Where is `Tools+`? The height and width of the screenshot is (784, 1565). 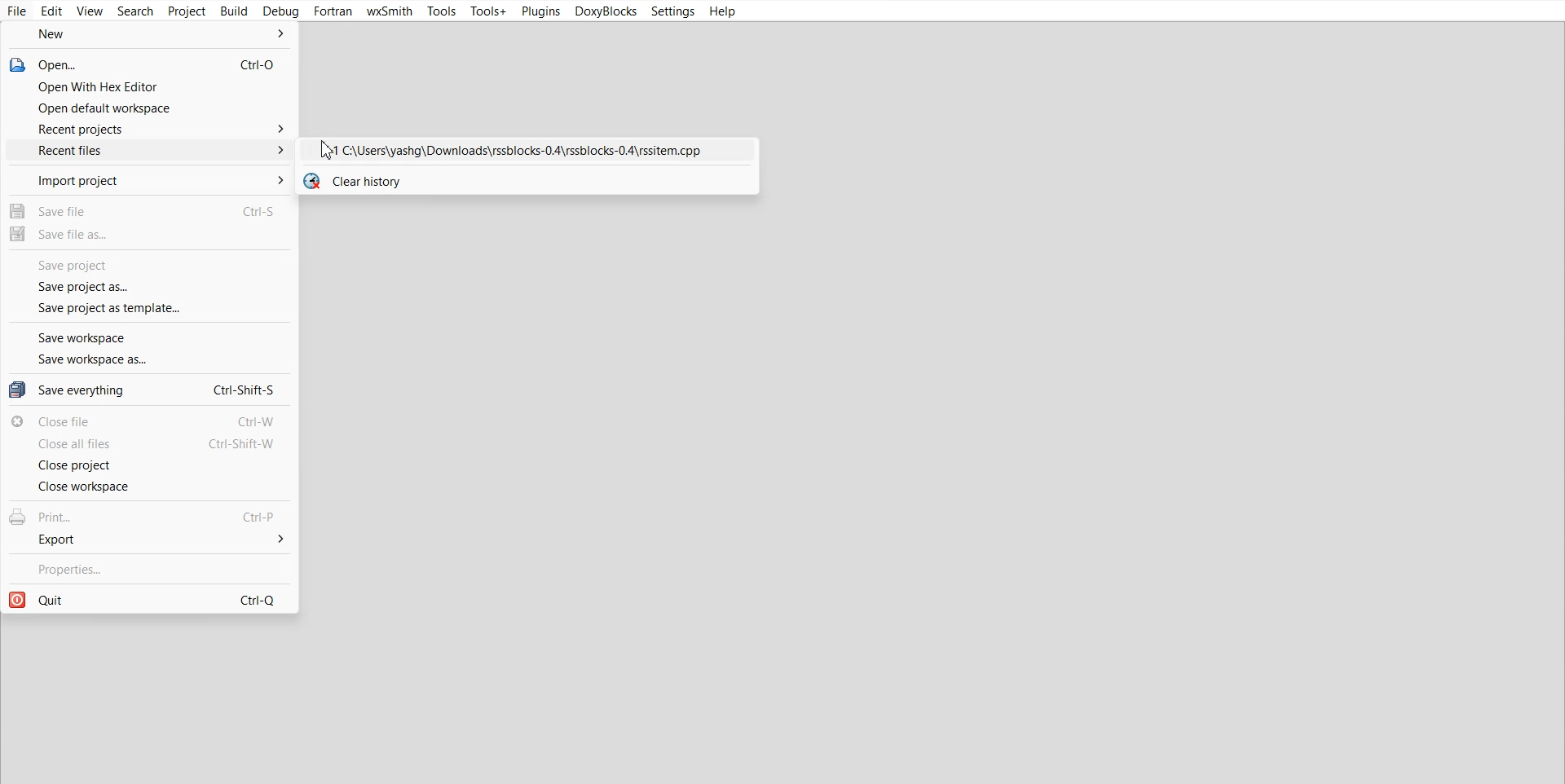 Tools+ is located at coordinates (488, 11).